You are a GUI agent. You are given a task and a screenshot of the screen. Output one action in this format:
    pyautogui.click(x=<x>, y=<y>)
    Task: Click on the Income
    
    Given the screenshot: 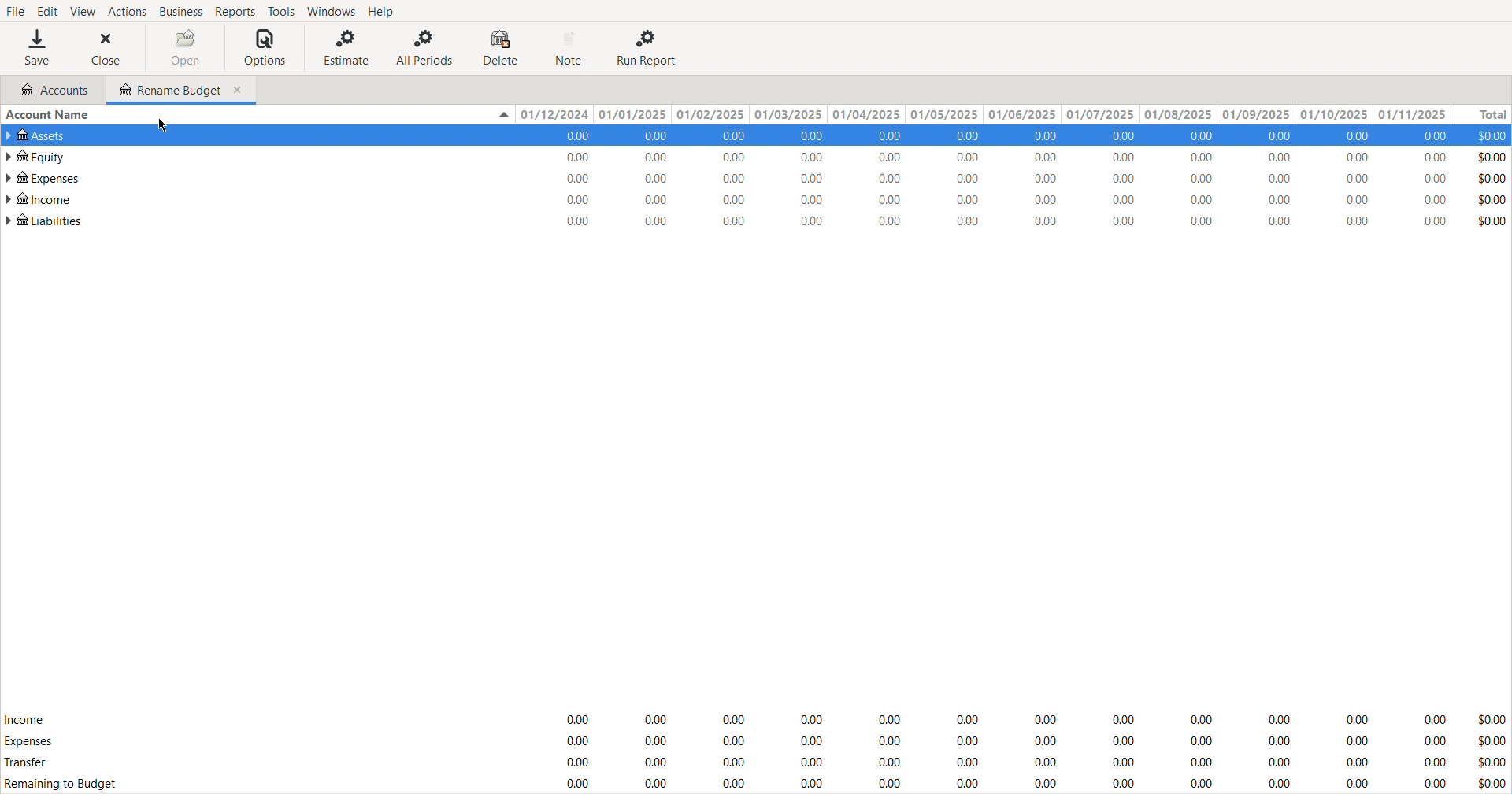 What is the action you would take?
    pyautogui.click(x=39, y=198)
    